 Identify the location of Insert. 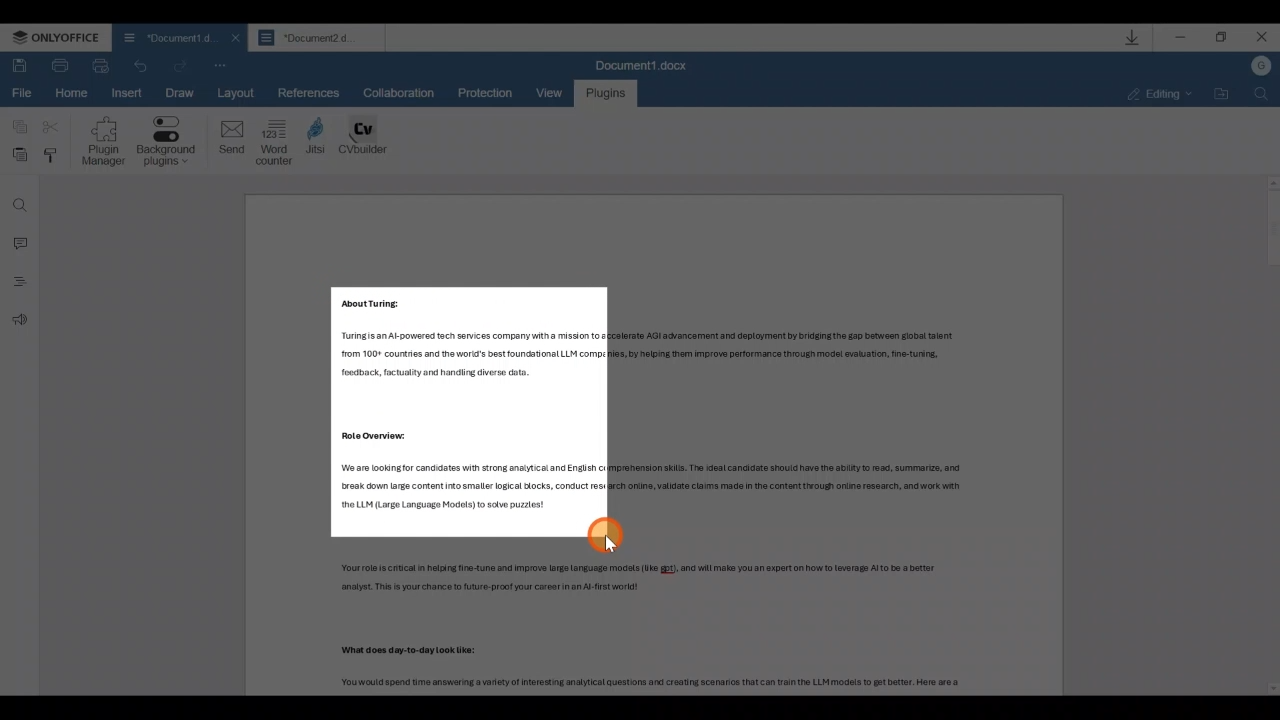
(124, 93).